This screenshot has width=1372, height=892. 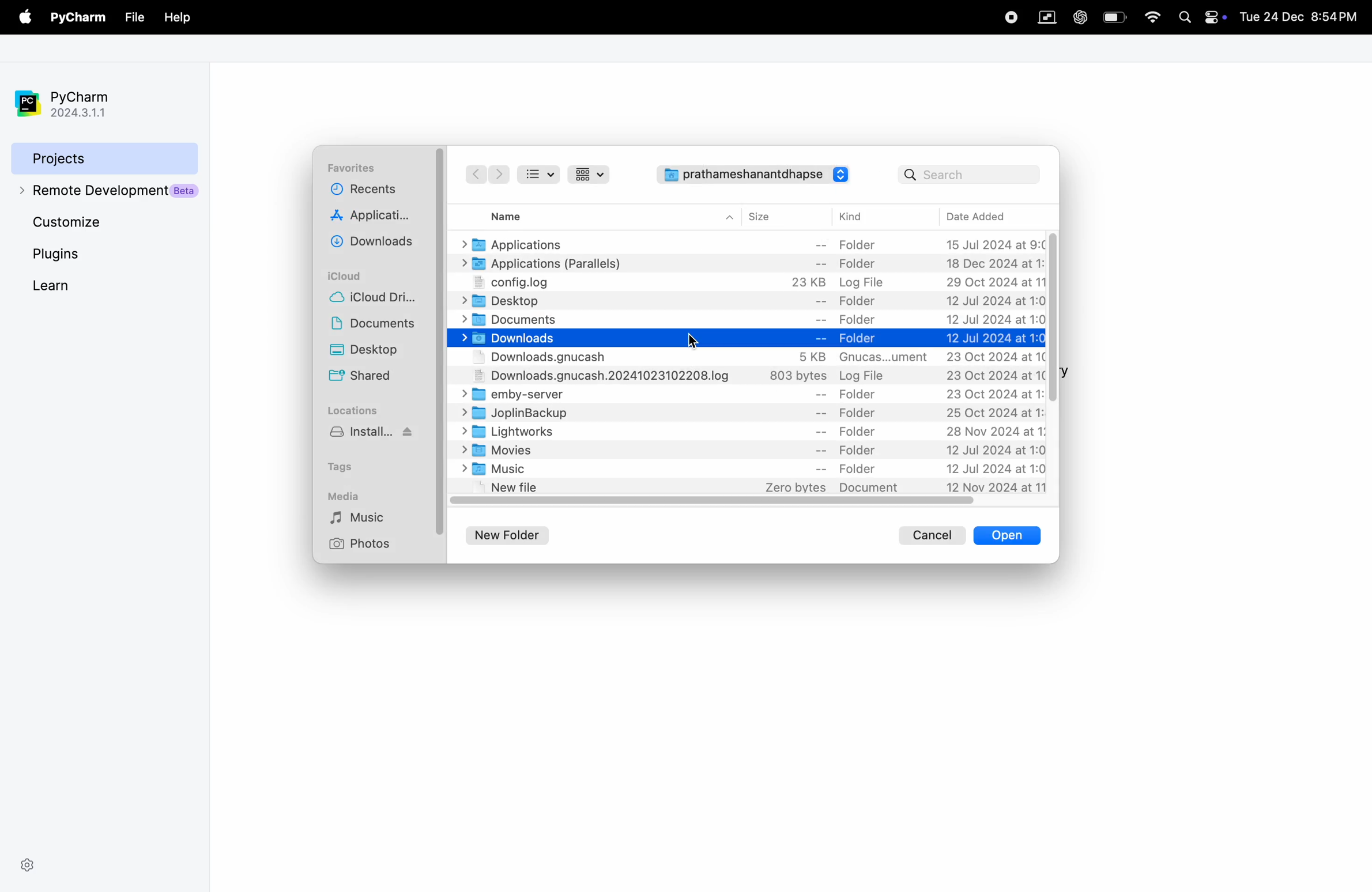 What do you see at coordinates (747, 319) in the screenshot?
I see `documents` at bounding box center [747, 319].